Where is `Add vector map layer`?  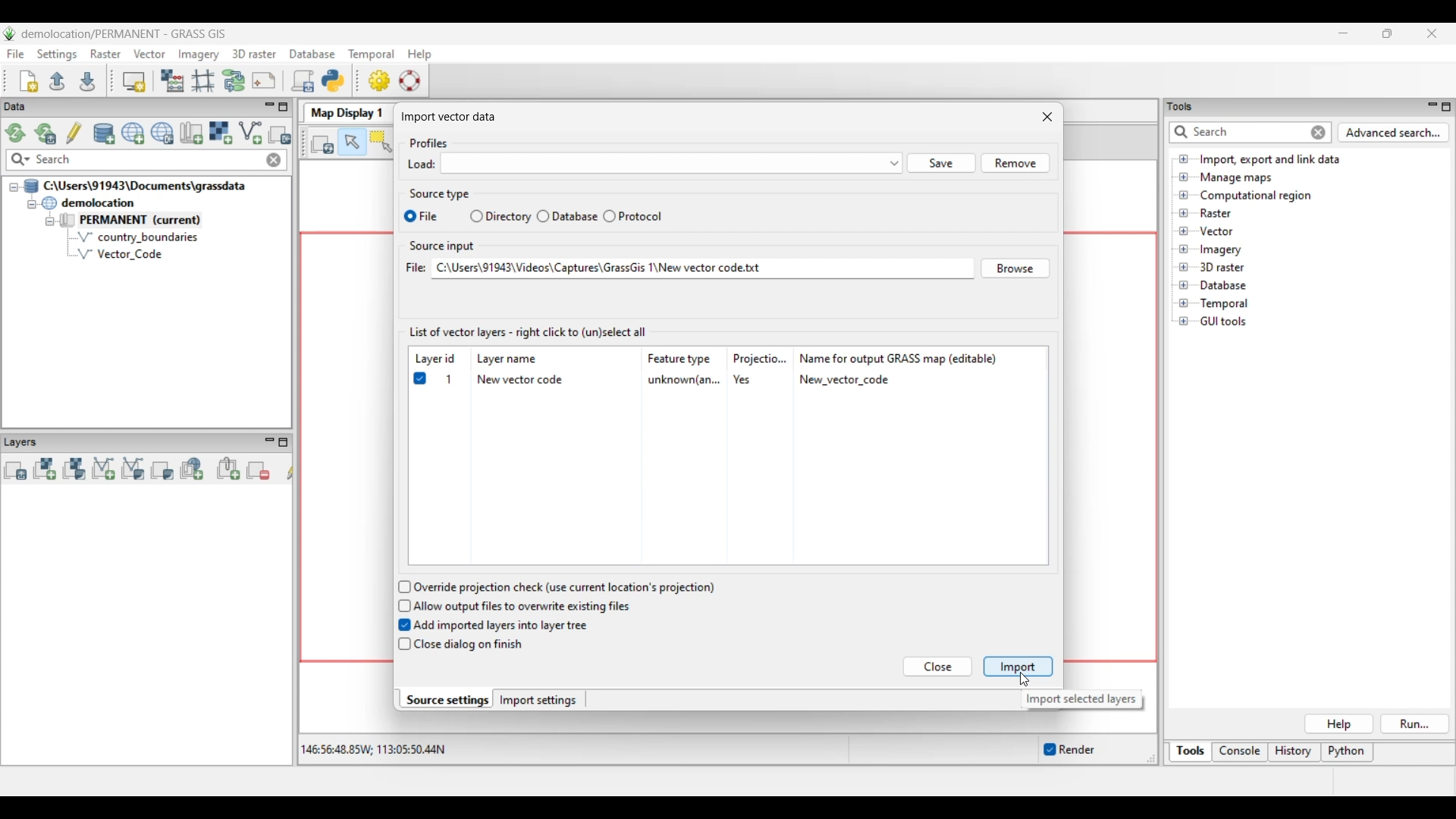 Add vector map layer is located at coordinates (104, 469).